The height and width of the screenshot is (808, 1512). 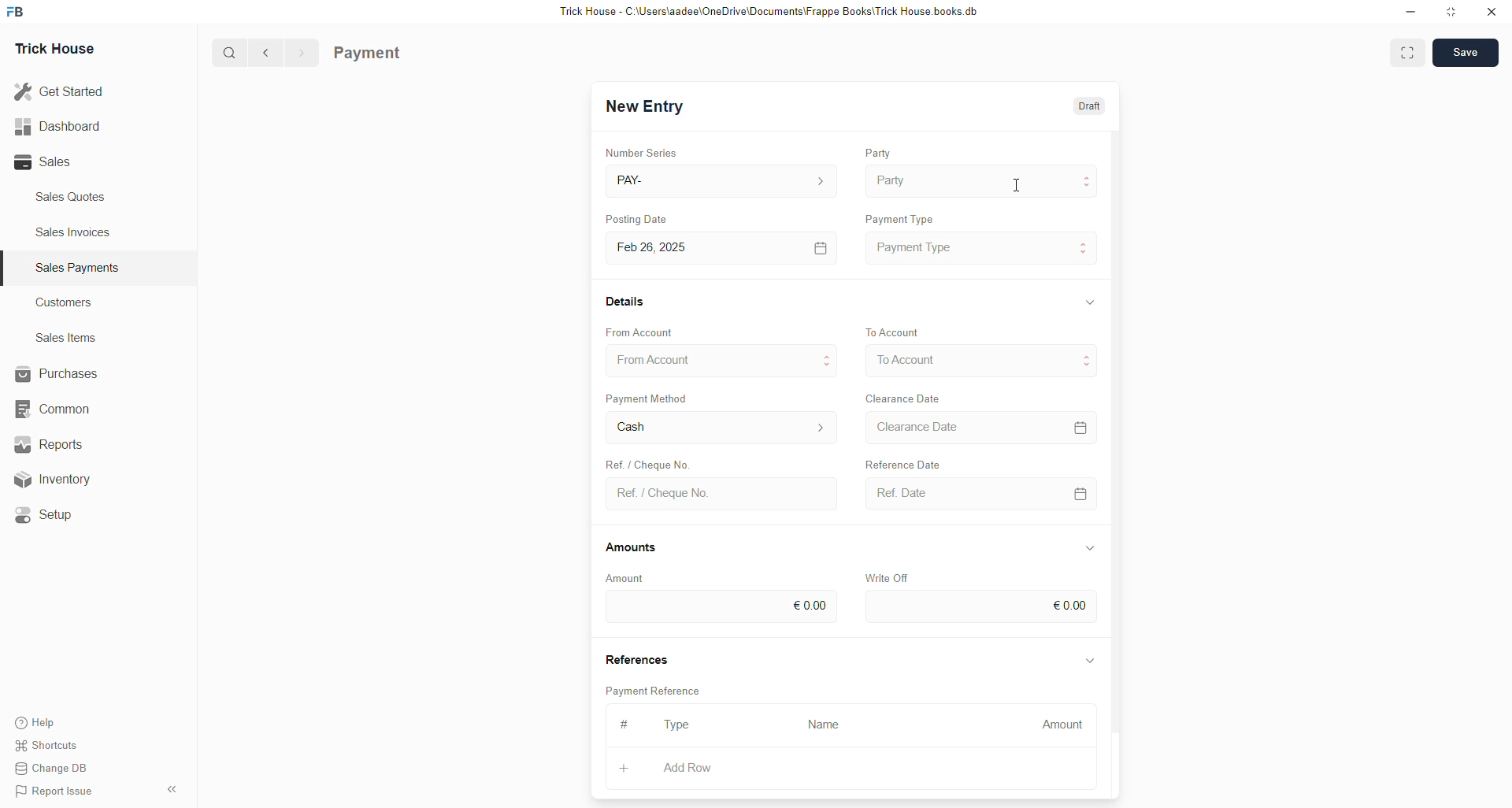 I want to click on Setup, so click(x=51, y=517).